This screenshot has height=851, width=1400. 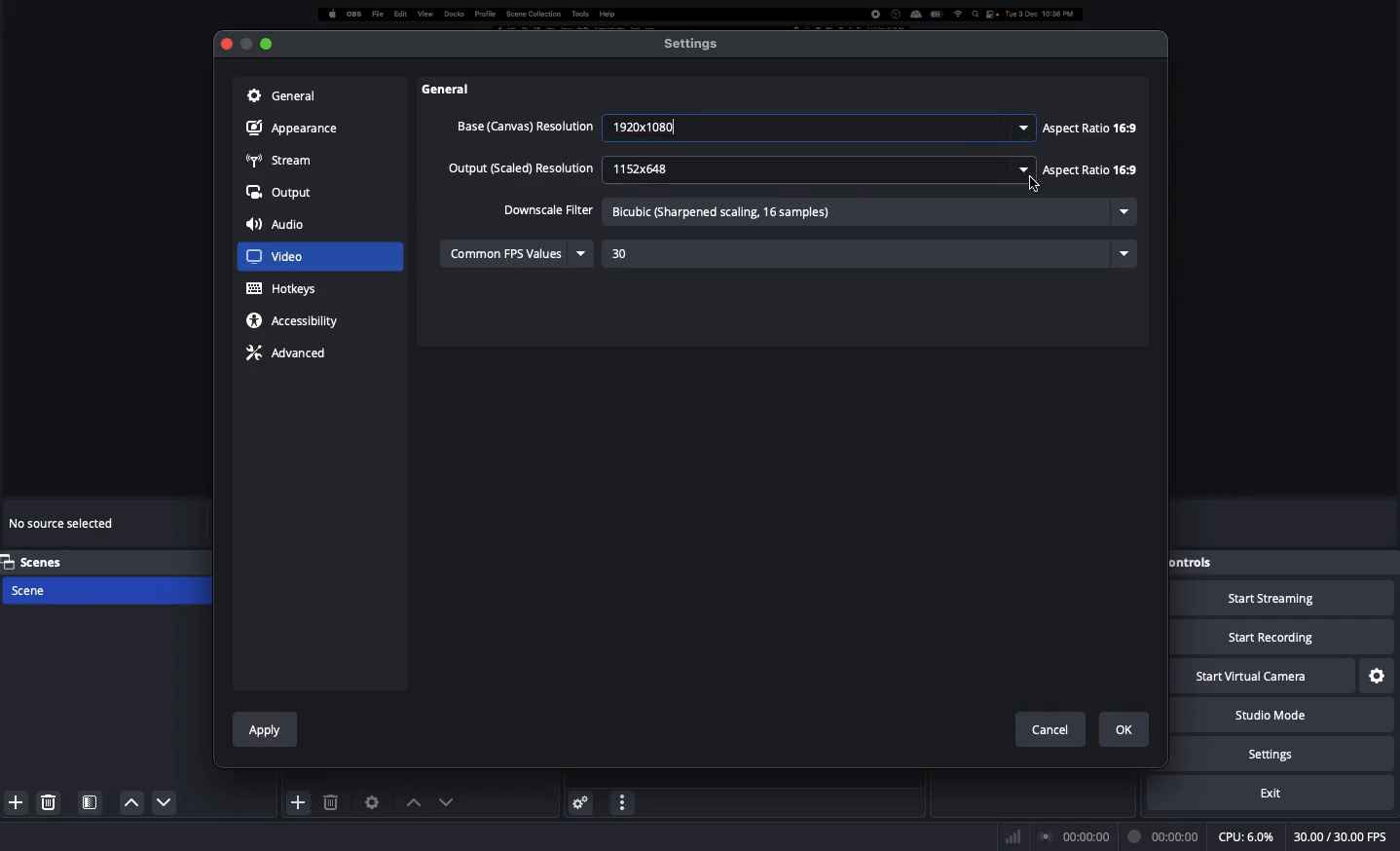 I want to click on Hotkeys, so click(x=283, y=289).